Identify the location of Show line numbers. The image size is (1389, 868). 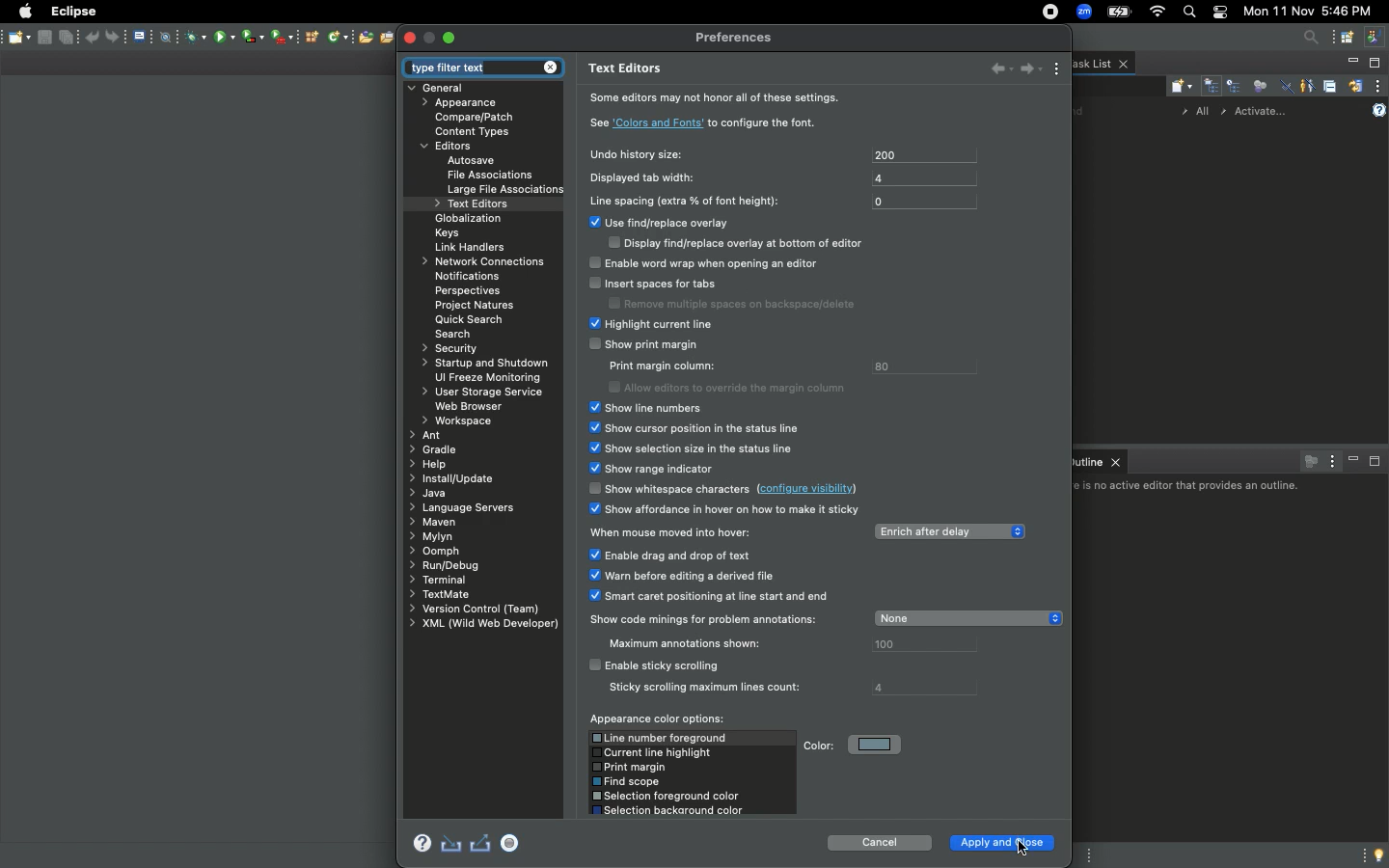
(647, 407).